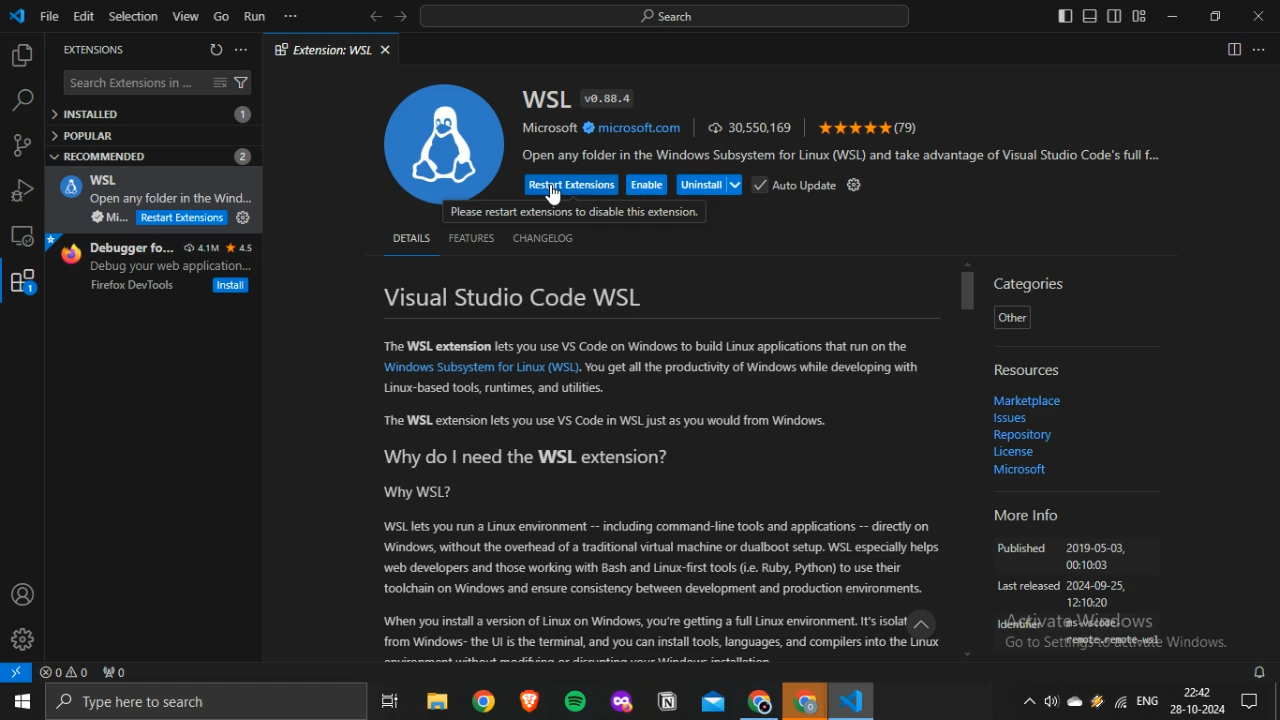  What do you see at coordinates (545, 99) in the screenshot?
I see `WSL` at bounding box center [545, 99].